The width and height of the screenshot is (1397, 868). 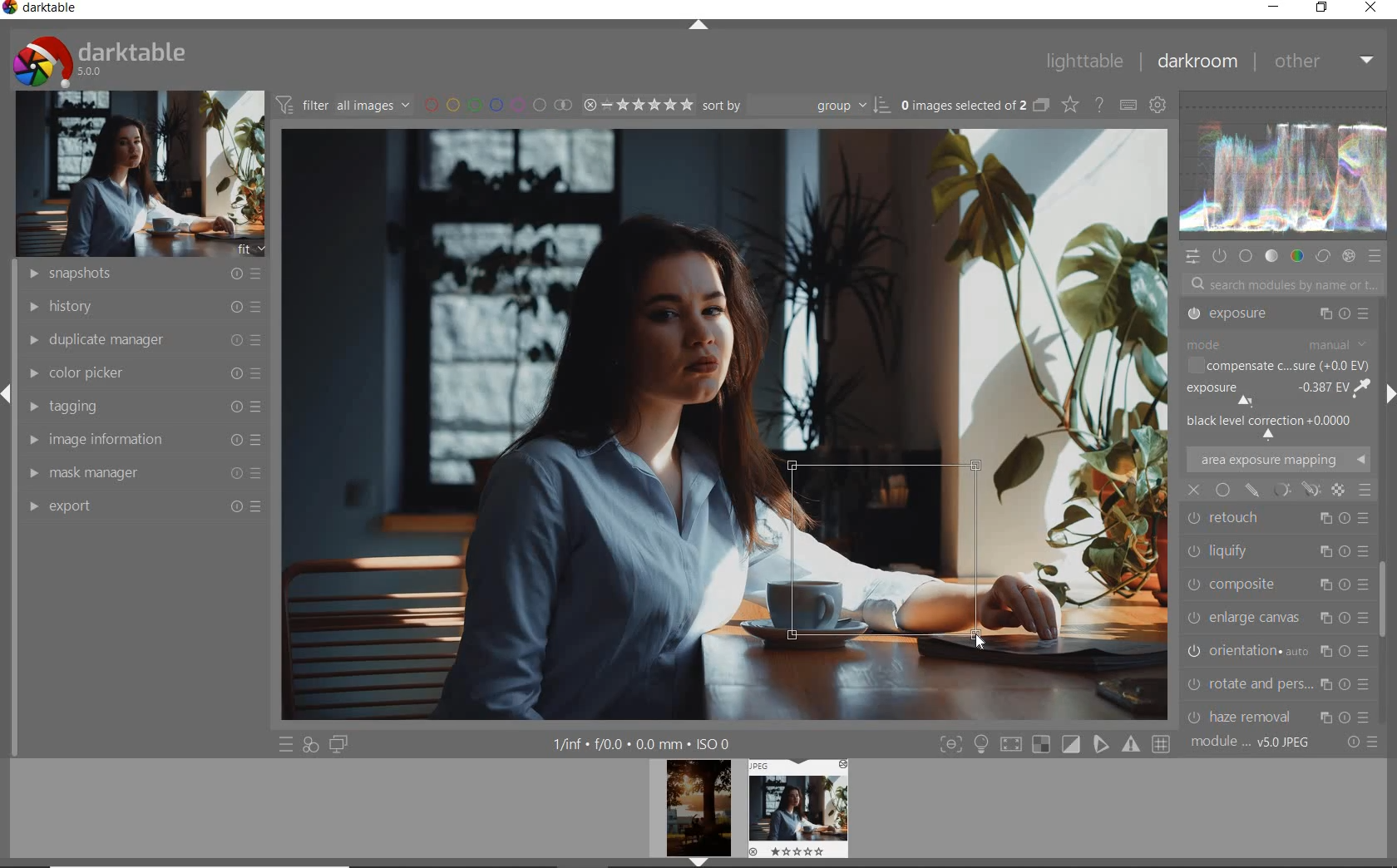 I want to click on RESET OR PRESET & PREFERANCE, so click(x=1360, y=745).